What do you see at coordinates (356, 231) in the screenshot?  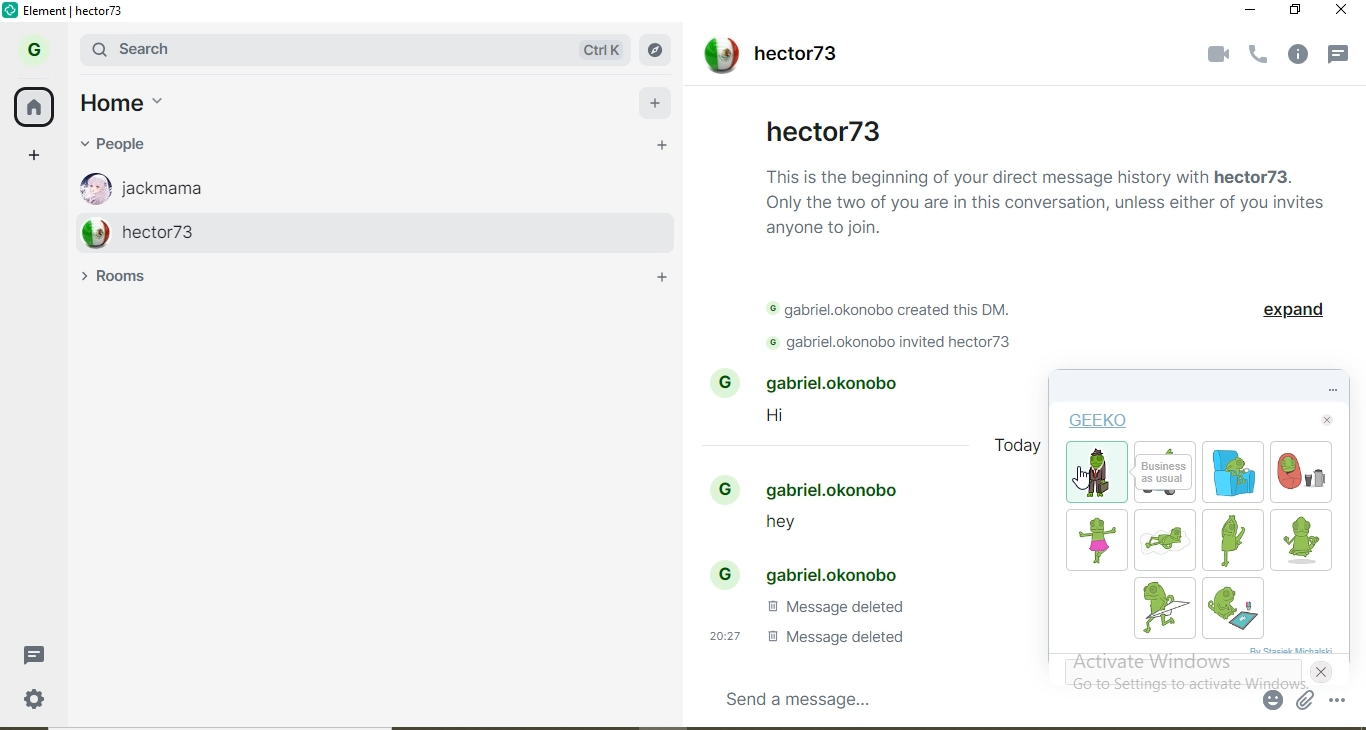 I see `hector73` at bounding box center [356, 231].